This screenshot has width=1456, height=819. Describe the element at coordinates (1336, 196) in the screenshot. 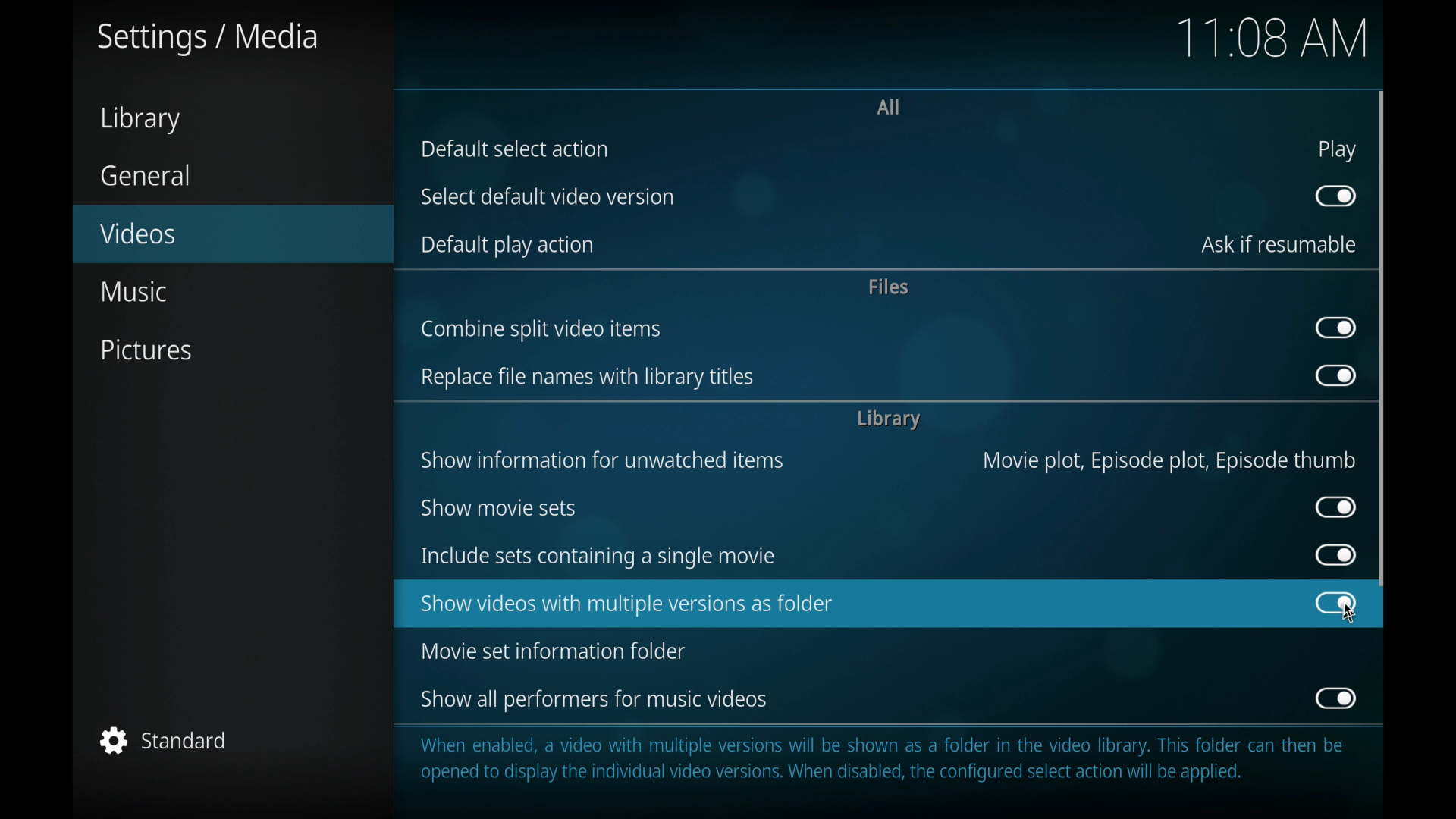

I see `toggle button` at that location.